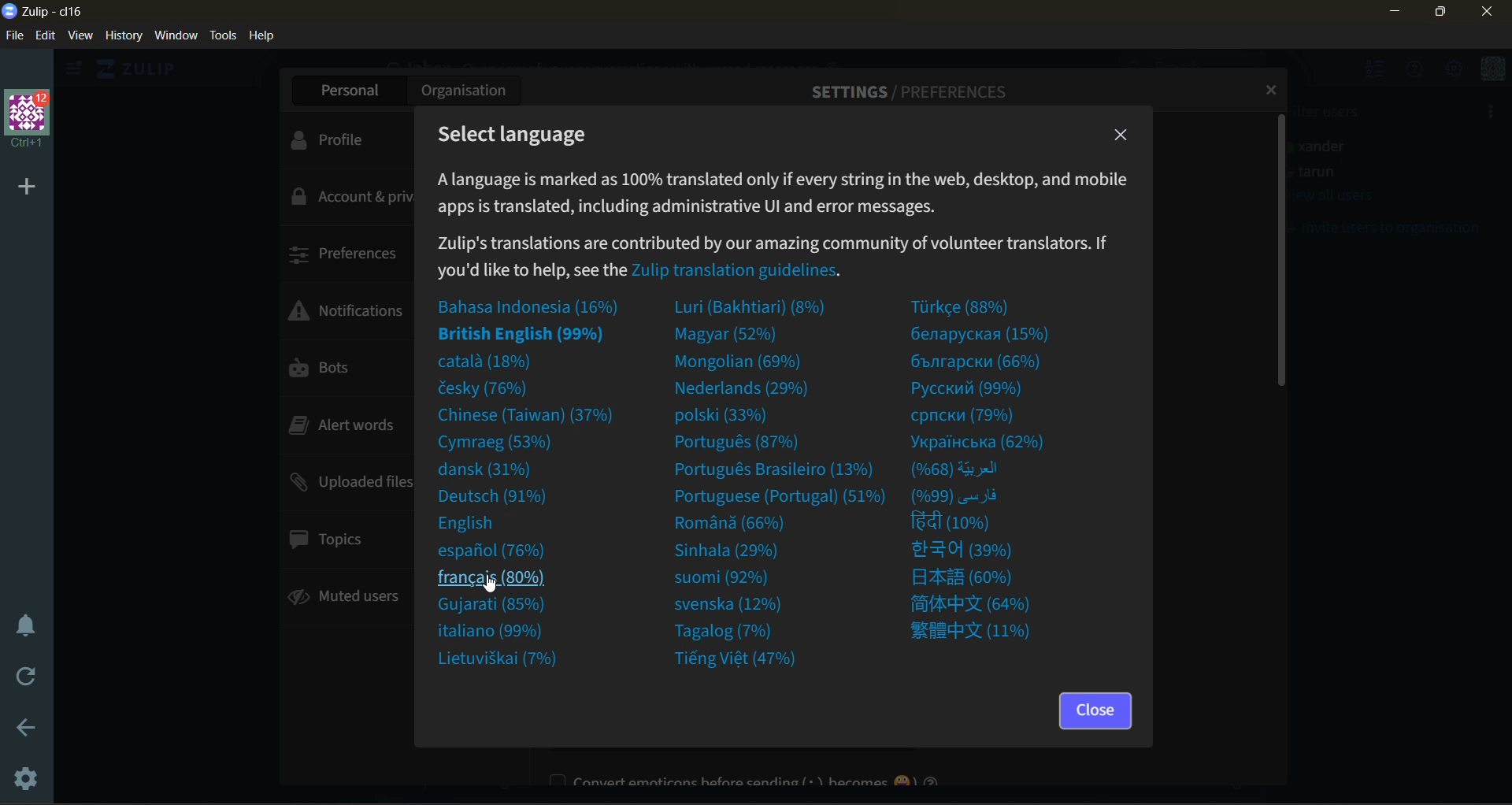 Image resolution: width=1512 pixels, height=805 pixels. Describe the element at coordinates (742, 632) in the screenshot. I see `tagalog` at that location.